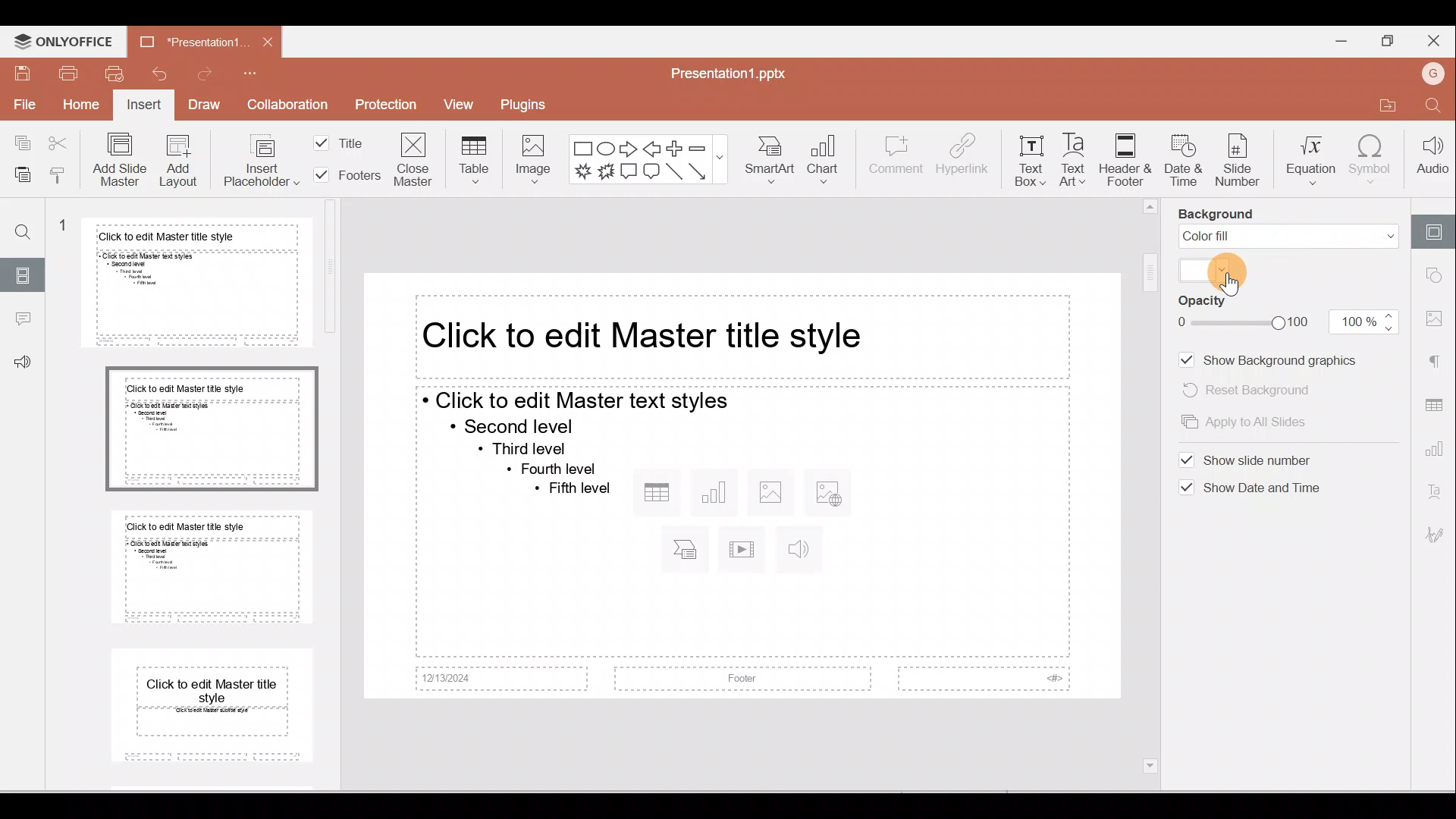  Describe the element at coordinates (196, 283) in the screenshot. I see `Master slide 1` at that location.